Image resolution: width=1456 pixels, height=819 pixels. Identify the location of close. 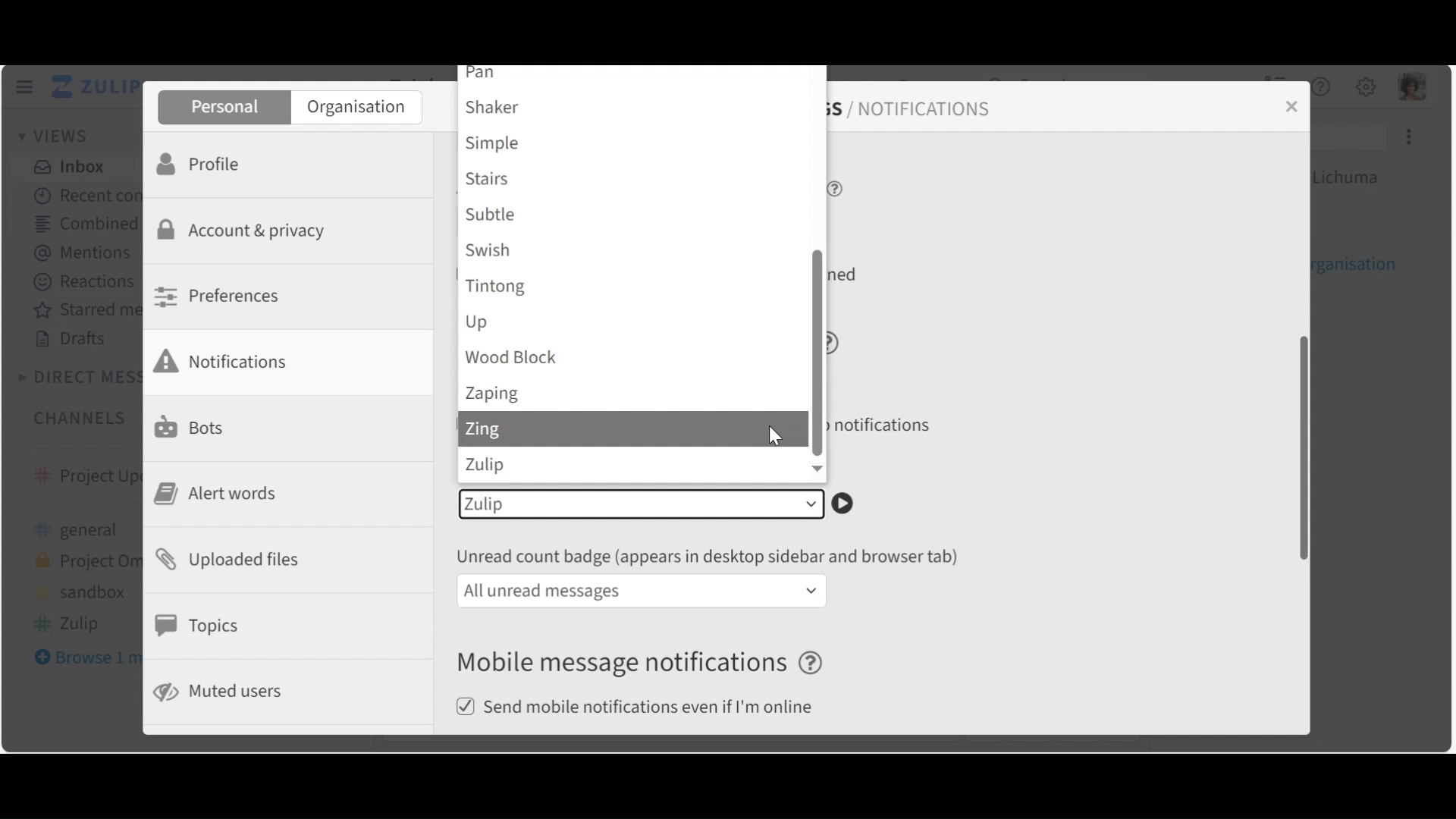
(1296, 106).